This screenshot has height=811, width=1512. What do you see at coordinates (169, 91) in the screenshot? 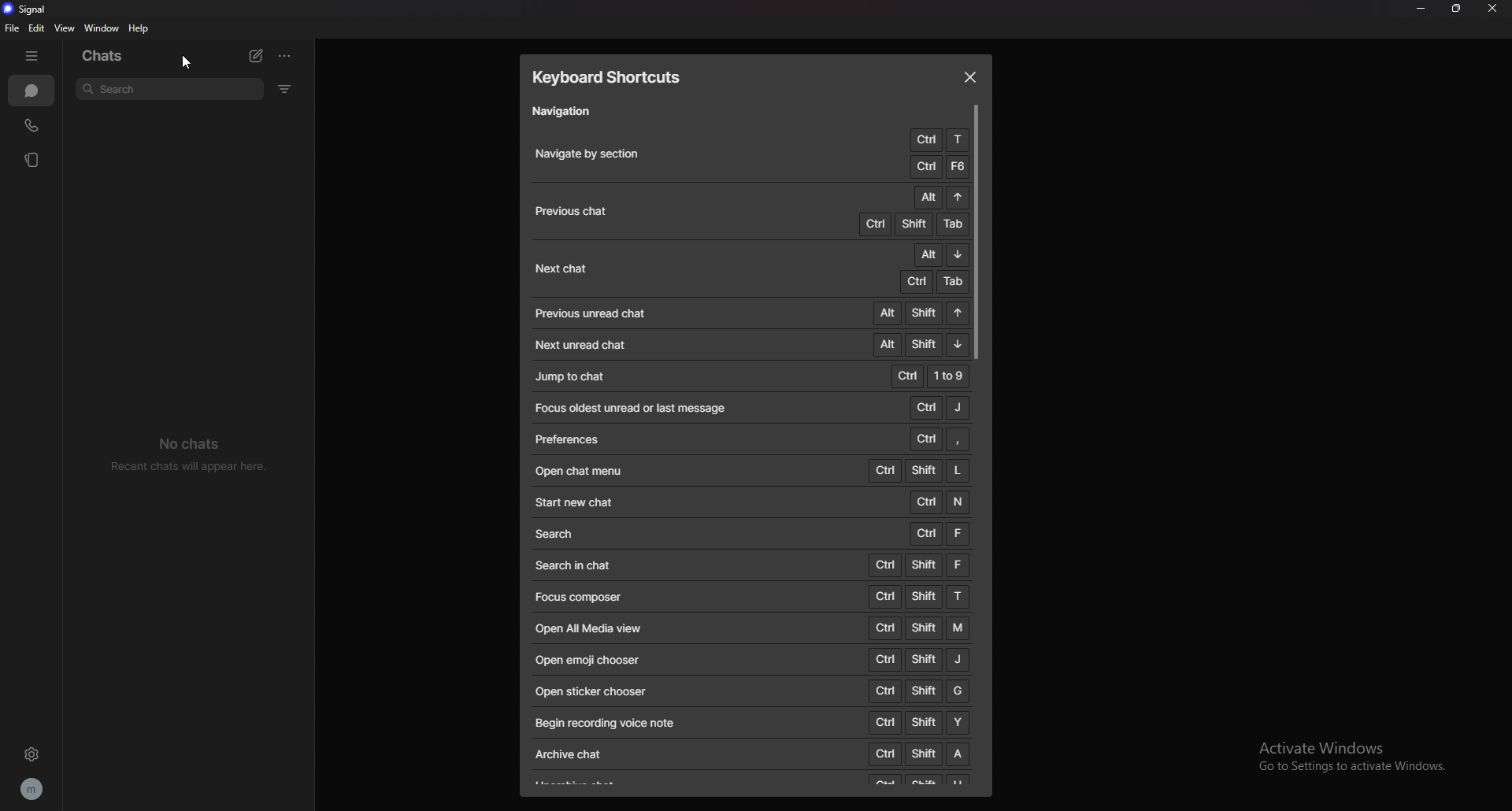
I see `search` at bounding box center [169, 91].